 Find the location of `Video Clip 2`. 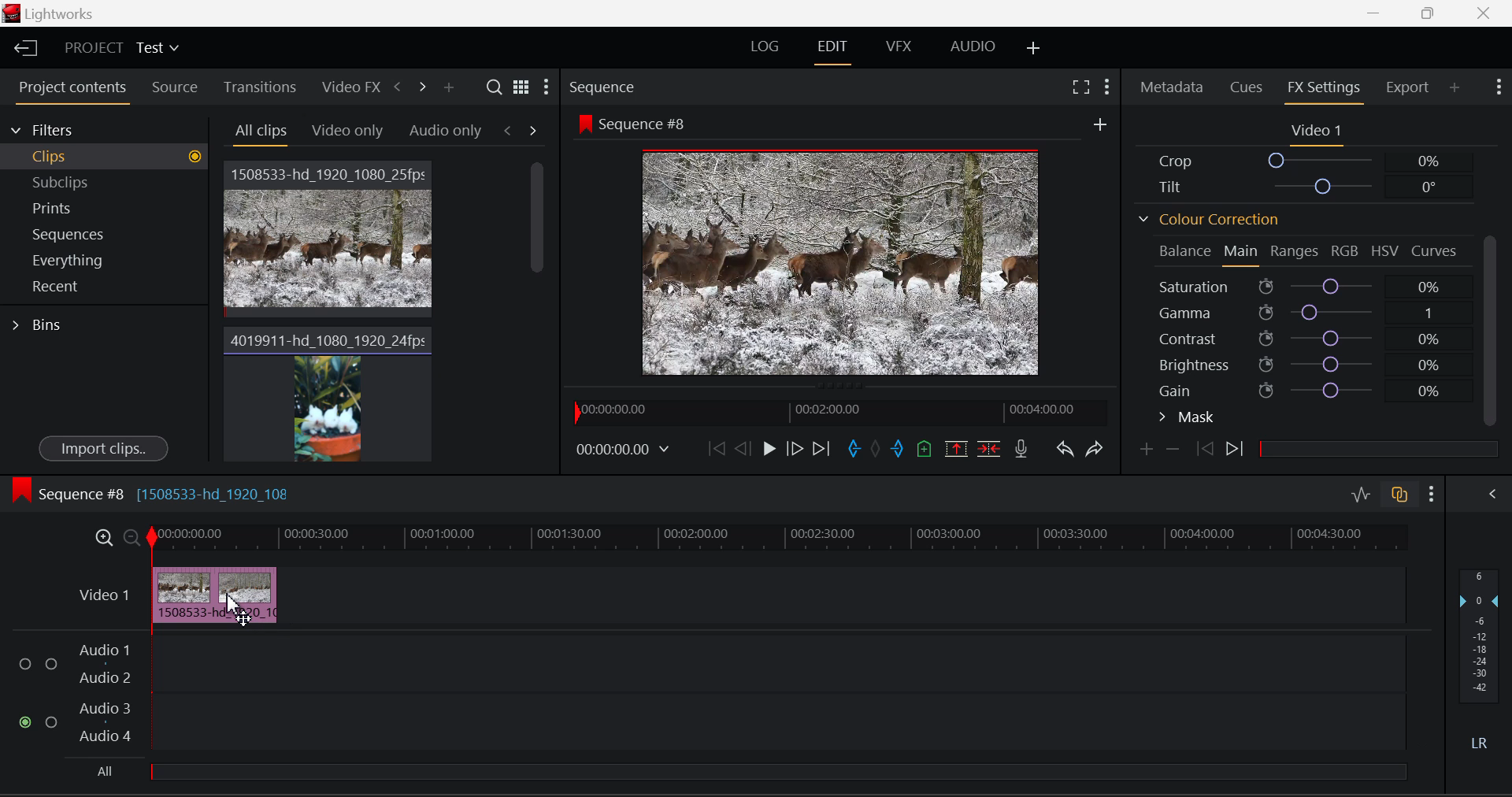

Video Clip 2 is located at coordinates (333, 397).